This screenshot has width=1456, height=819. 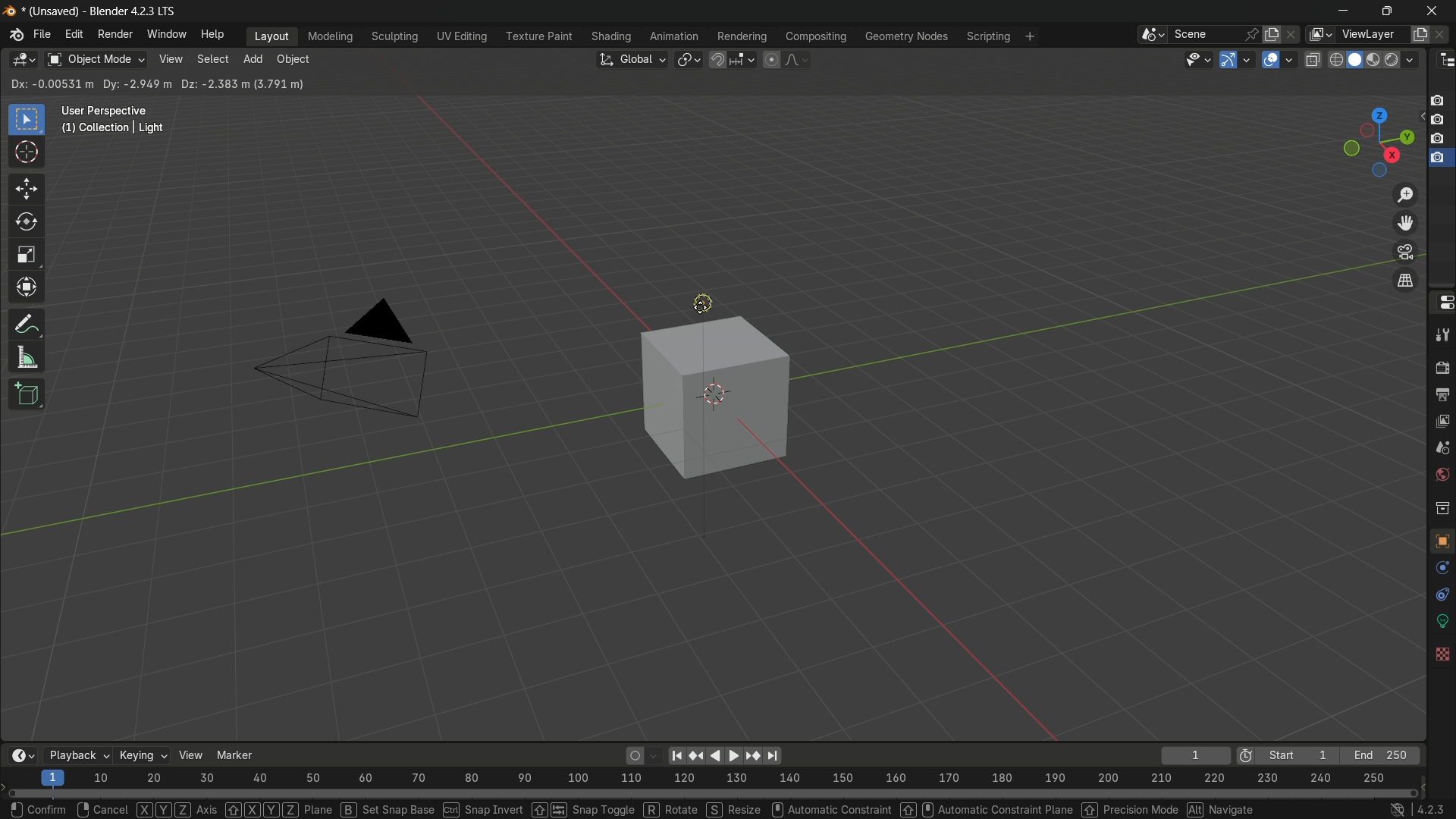 What do you see at coordinates (1208, 36) in the screenshot?
I see `scene name` at bounding box center [1208, 36].